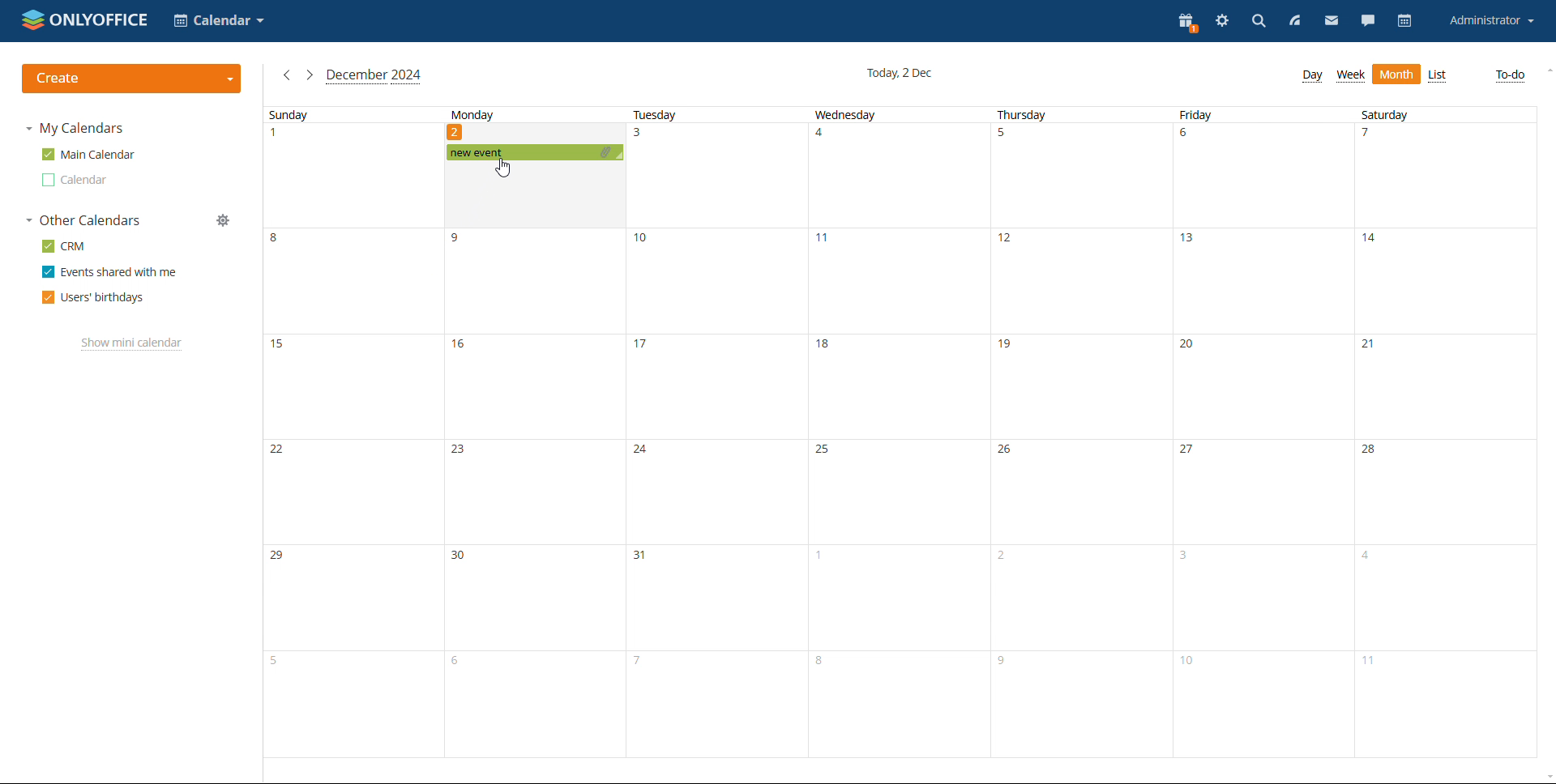 This screenshot has width=1556, height=784. I want to click on 30, so click(460, 556).